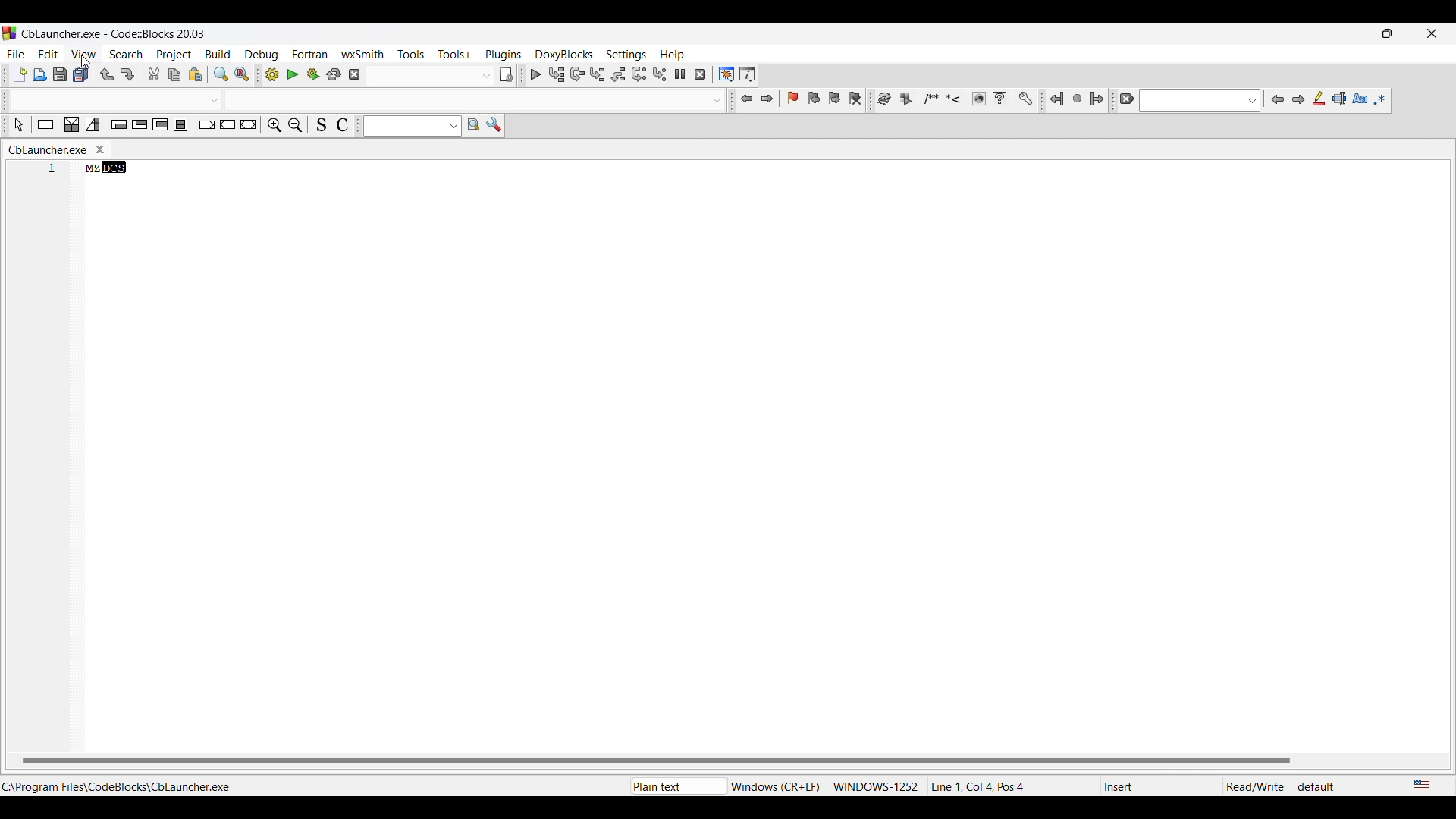  I want to click on Open, so click(40, 75).